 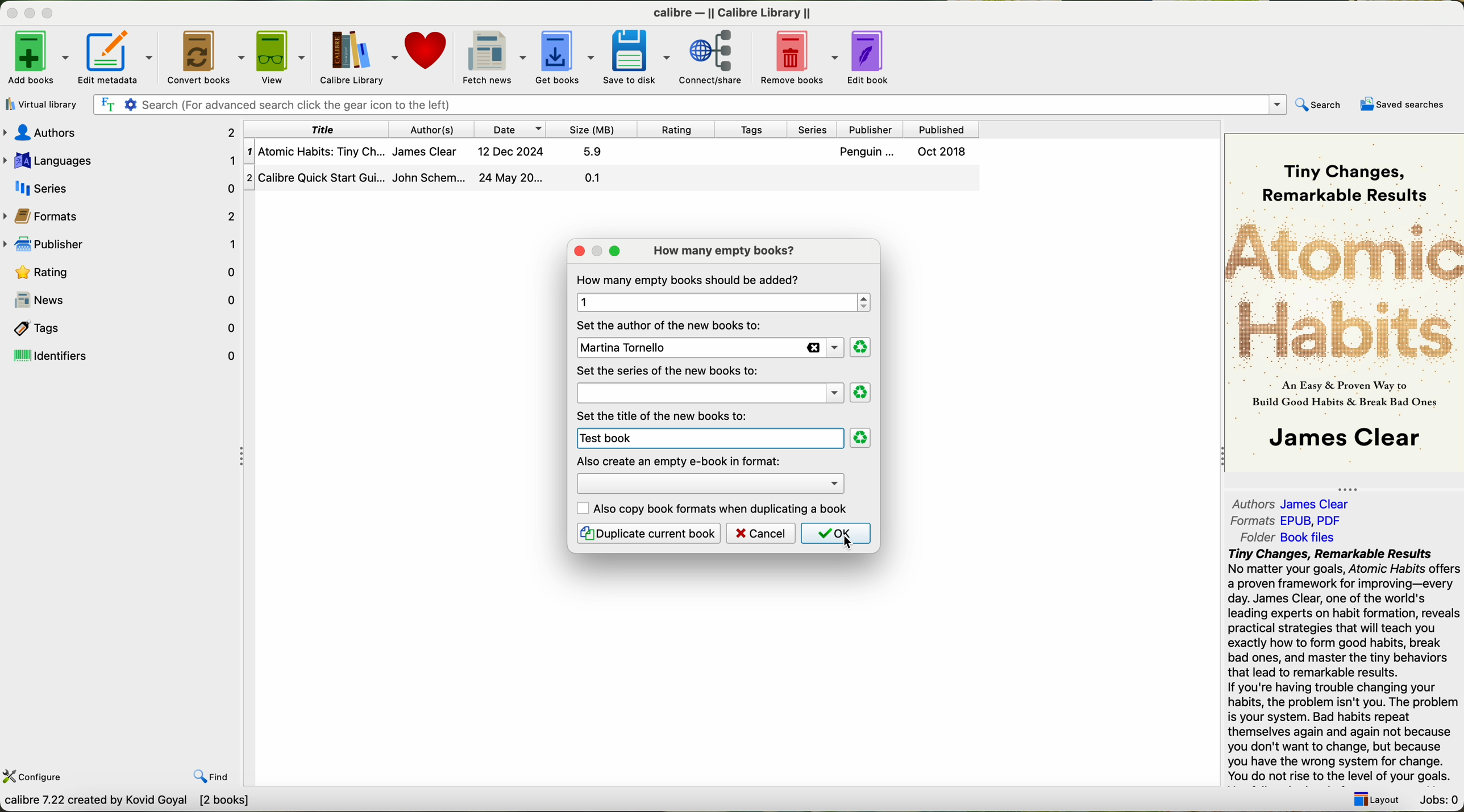 What do you see at coordinates (319, 128) in the screenshot?
I see `title` at bounding box center [319, 128].